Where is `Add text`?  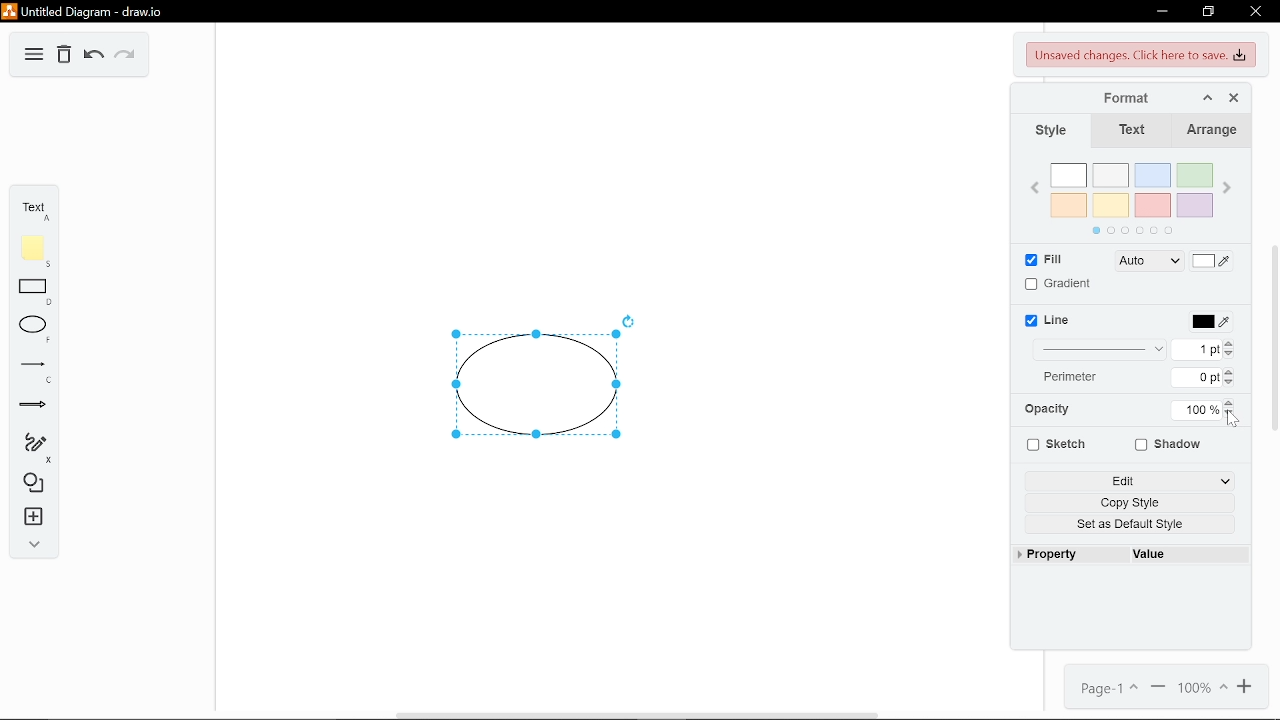 Add text is located at coordinates (34, 207).